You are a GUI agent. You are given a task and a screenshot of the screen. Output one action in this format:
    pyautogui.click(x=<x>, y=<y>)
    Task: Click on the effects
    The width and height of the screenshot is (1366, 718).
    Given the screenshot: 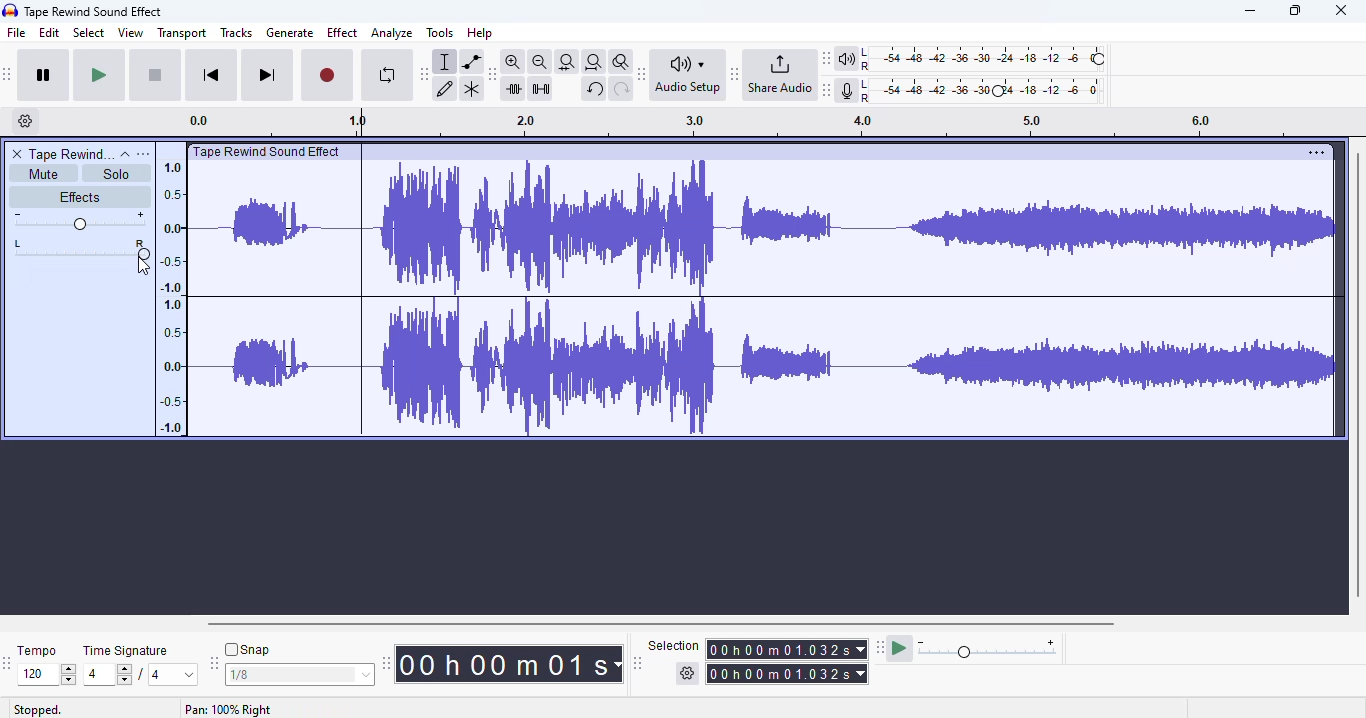 What is the action you would take?
    pyautogui.click(x=79, y=196)
    